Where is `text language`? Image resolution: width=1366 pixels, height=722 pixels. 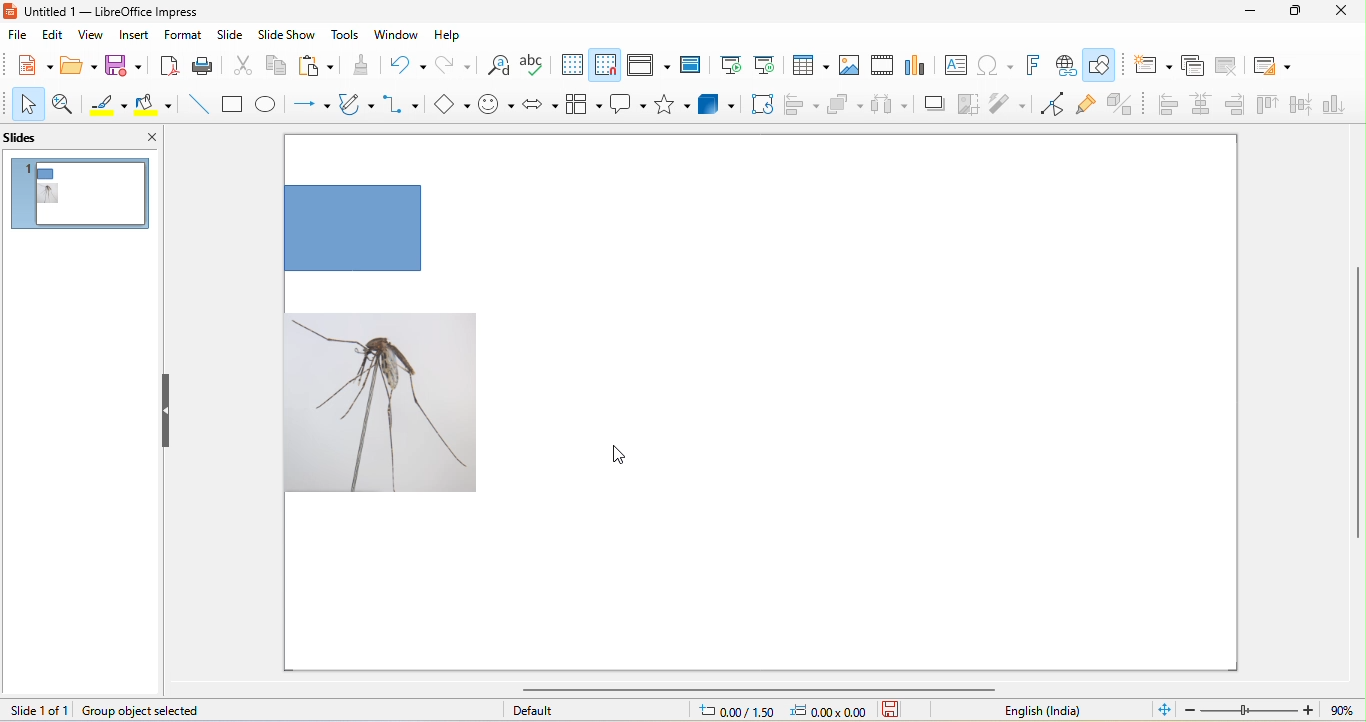
text language is located at coordinates (1045, 711).